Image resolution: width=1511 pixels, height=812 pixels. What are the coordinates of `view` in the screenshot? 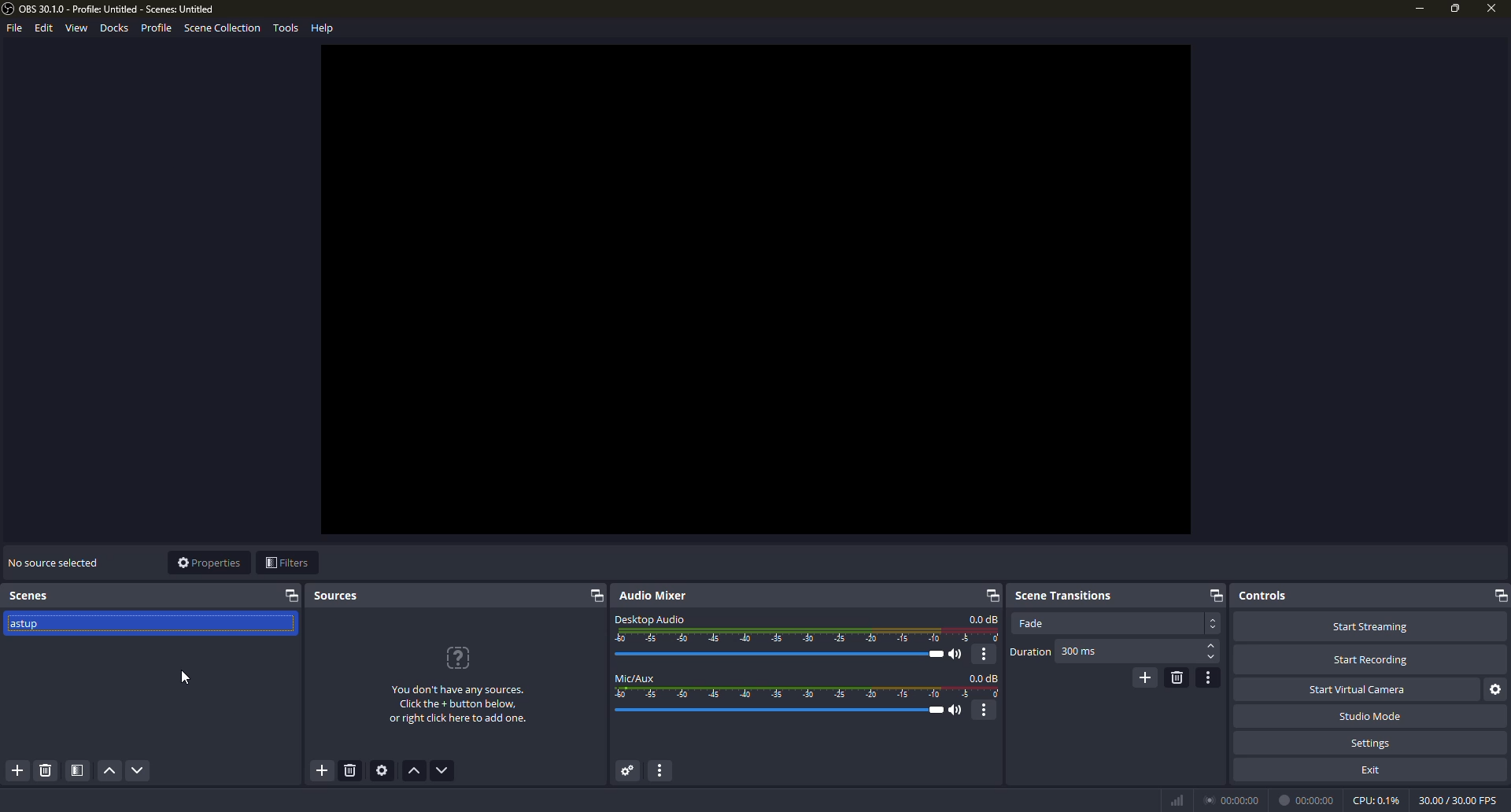 It's located at (76, 28).